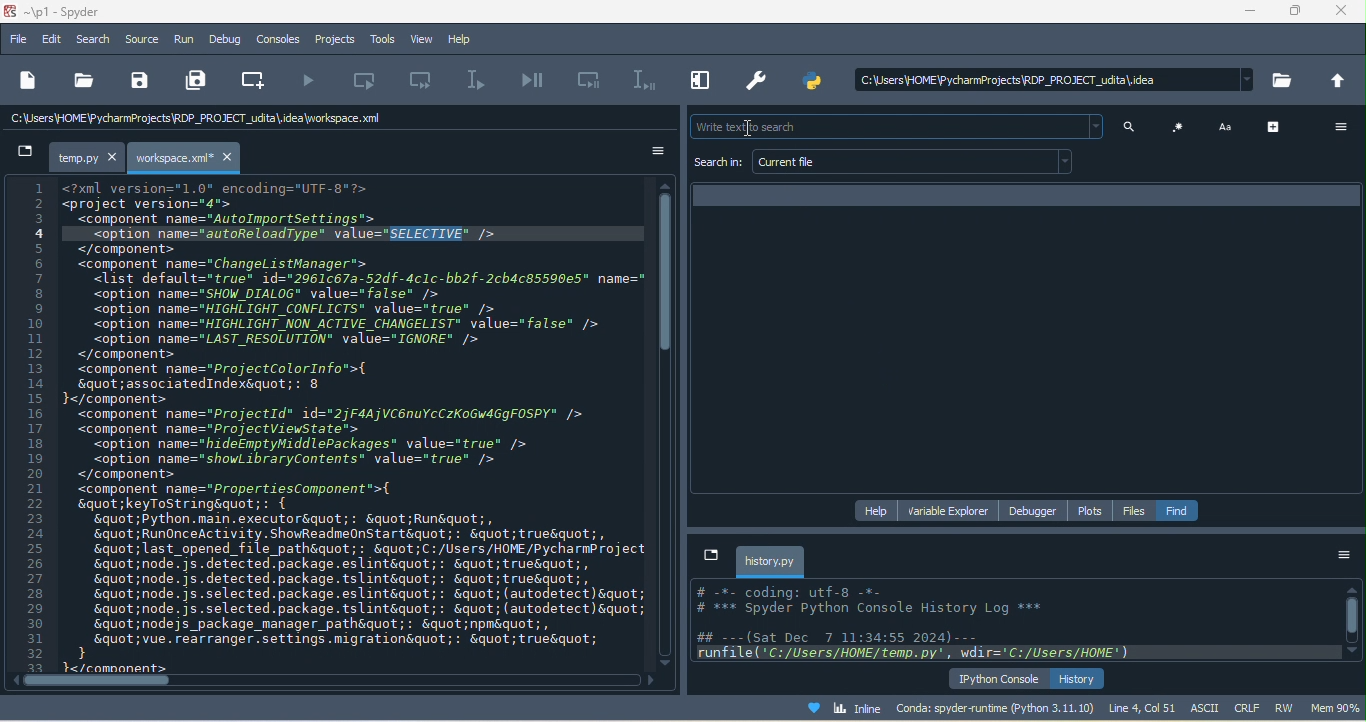  I want to click on vertical scroll bar, so click(1351, 621).